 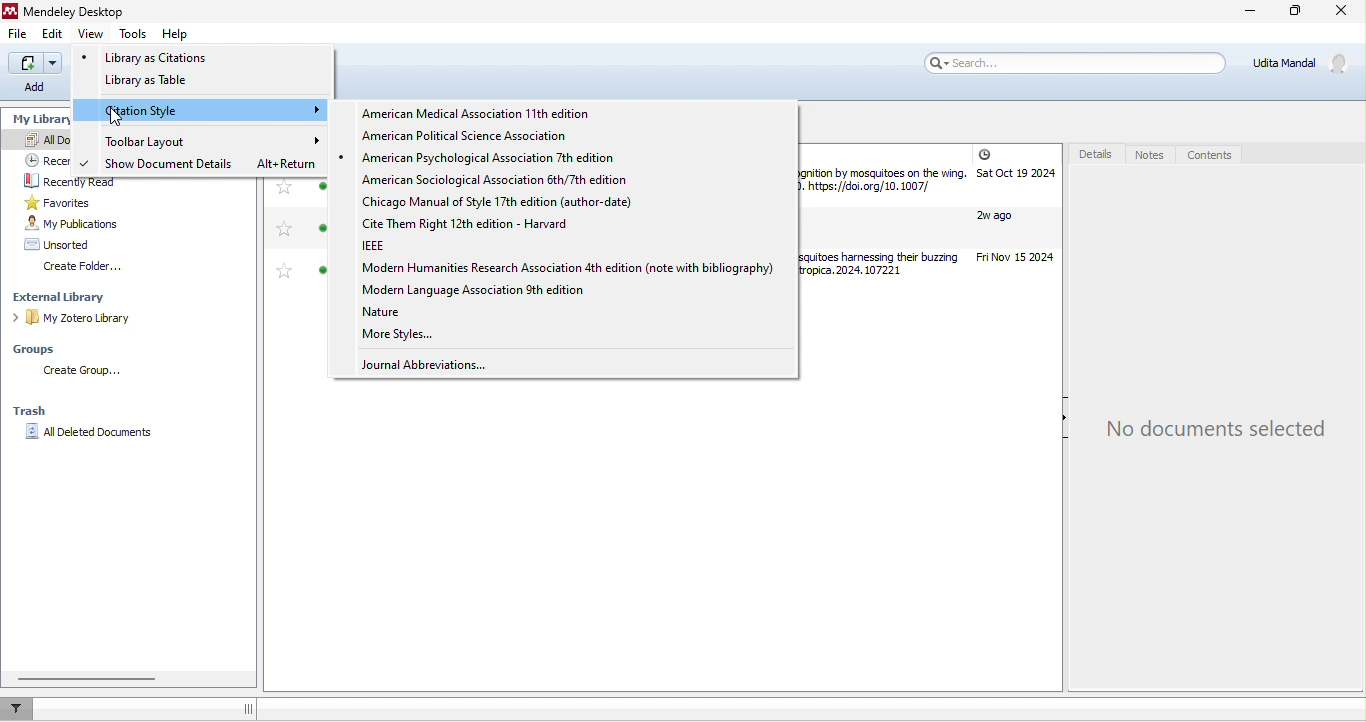 I want to click on More Styles., so click(x=398, y=335).